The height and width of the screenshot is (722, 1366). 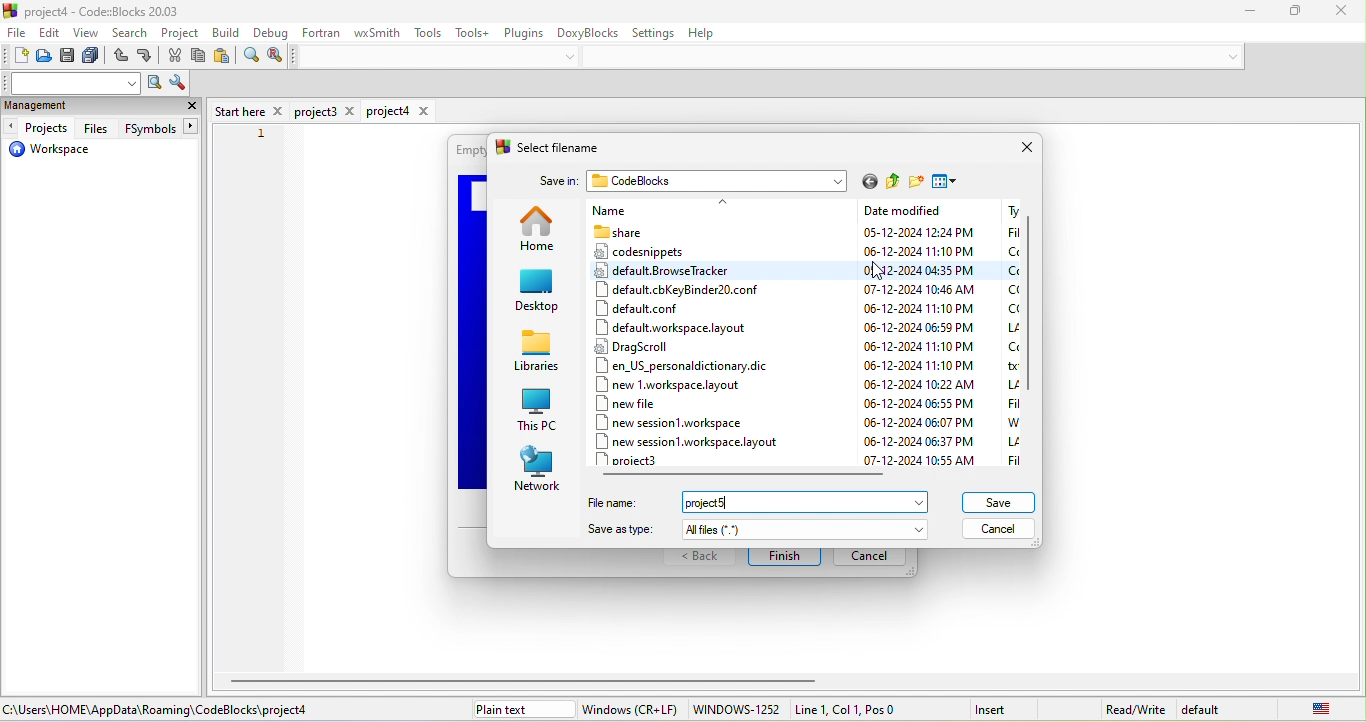 What do you see at coordinates (45, 58) in the screenshot?
I see `open` at bounding box center [45, 58].